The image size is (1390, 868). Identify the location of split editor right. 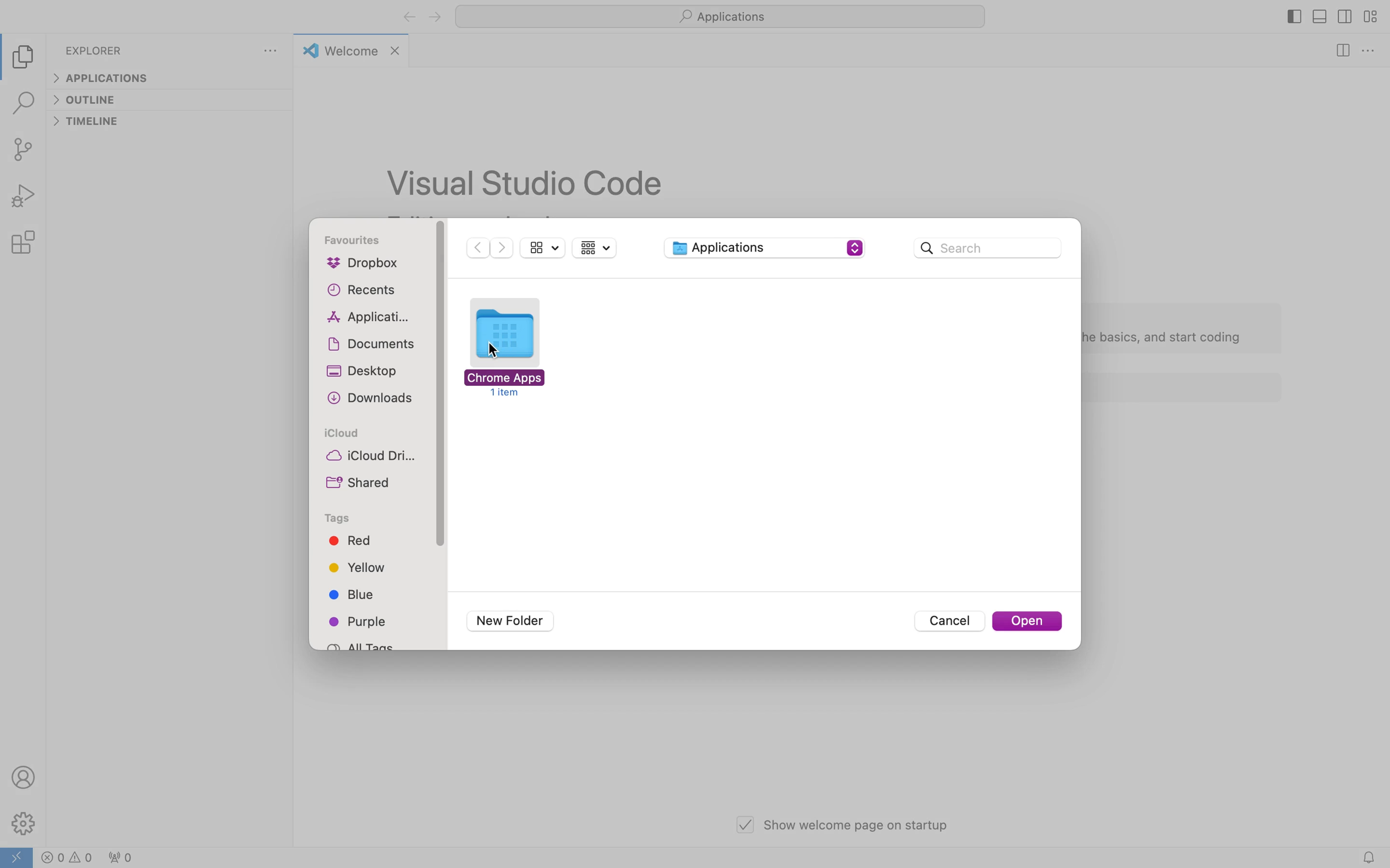
(1340, 51).